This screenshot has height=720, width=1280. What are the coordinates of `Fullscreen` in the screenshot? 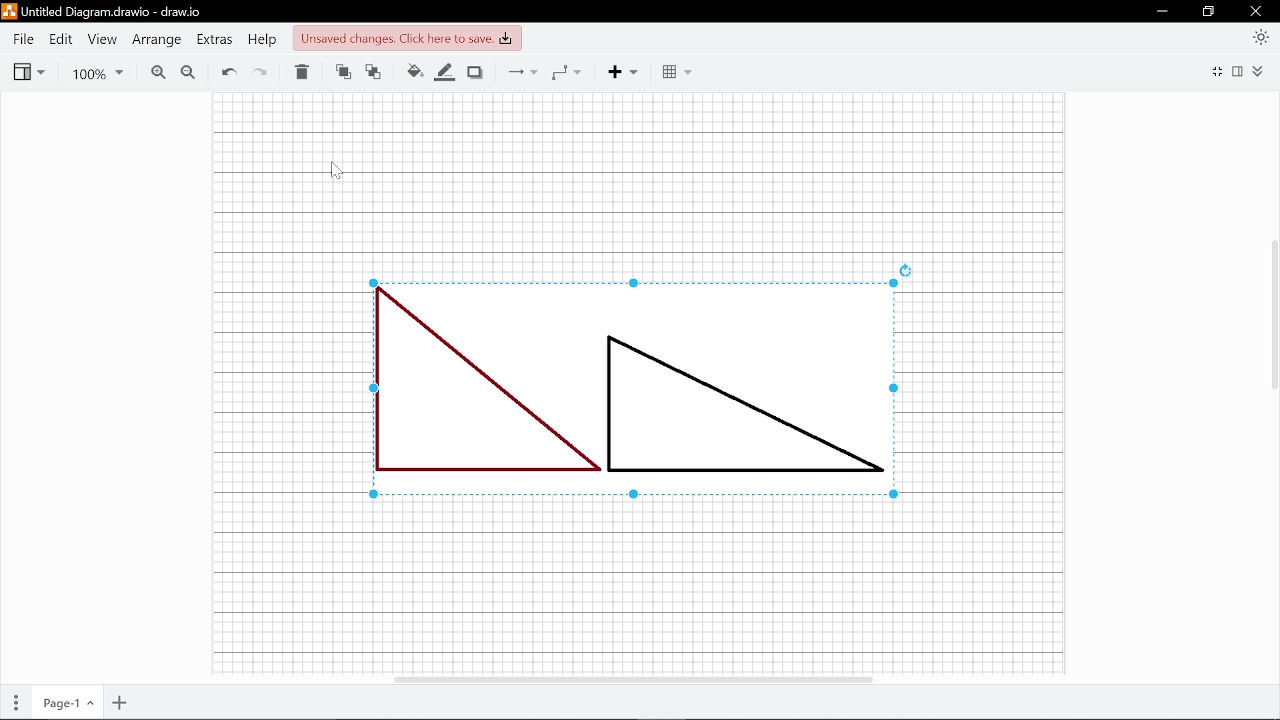 It's located at (1218, 73).